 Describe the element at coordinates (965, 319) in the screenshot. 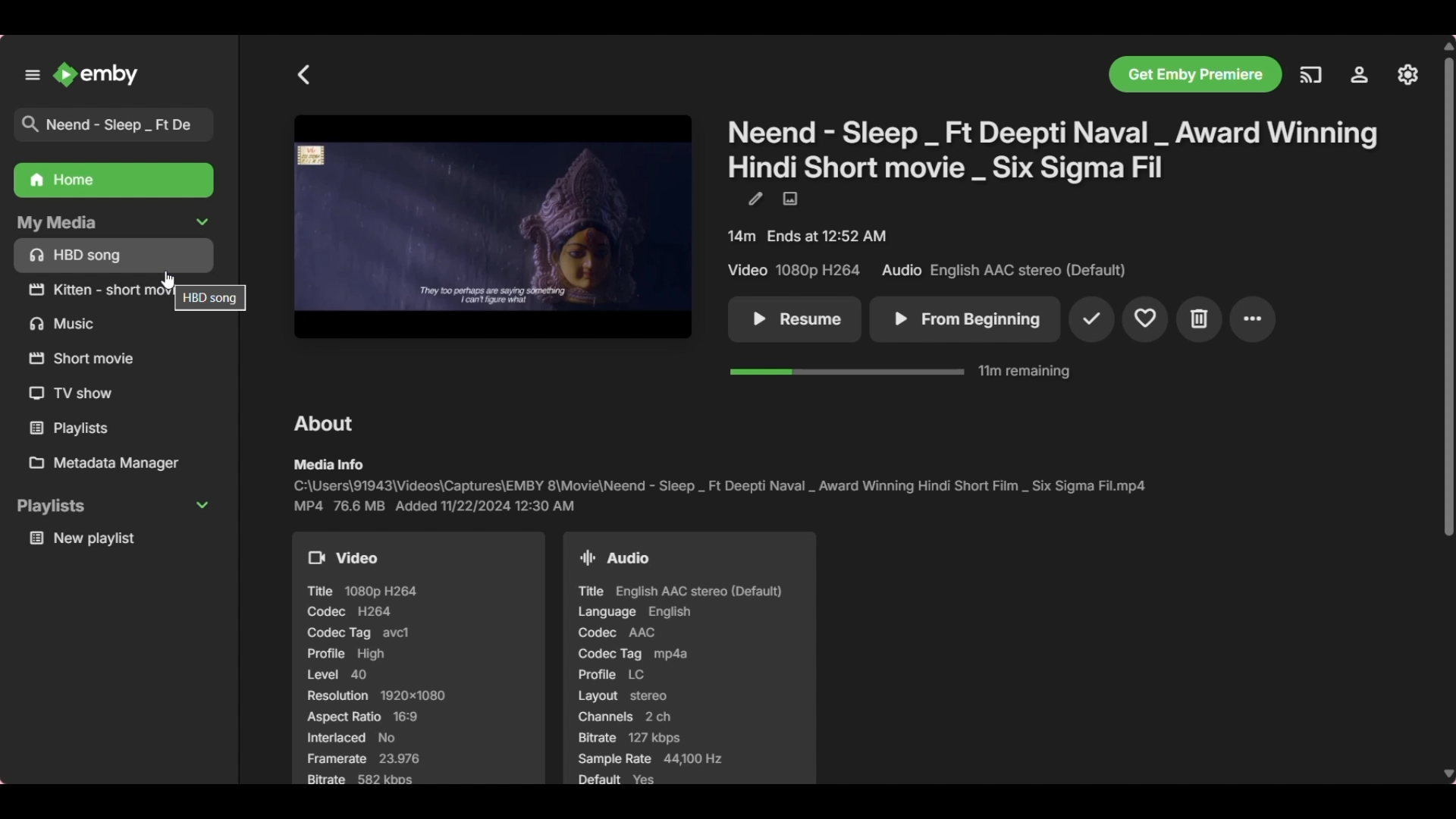

I see `Play movie from beginning ` at that location.